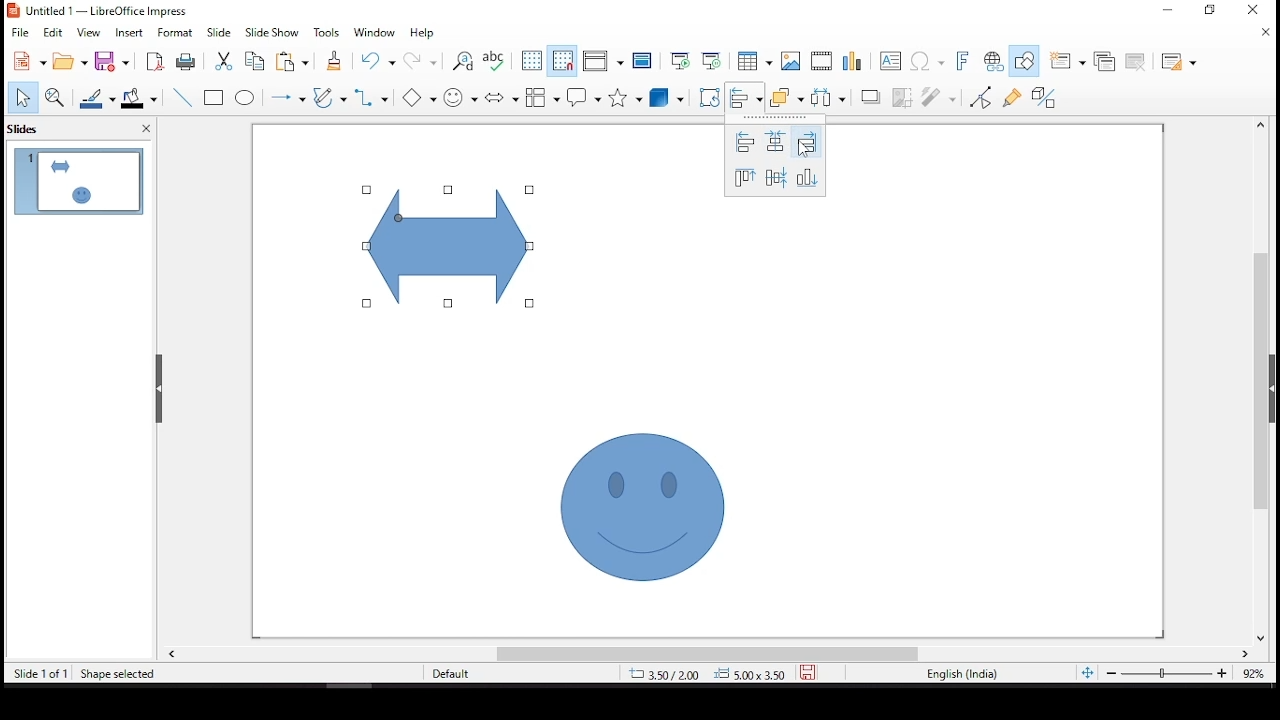 The image size is (1280, 720). Describe the element at coordinates (961, 672) in the screenshot. I see `english (india)` at that location.